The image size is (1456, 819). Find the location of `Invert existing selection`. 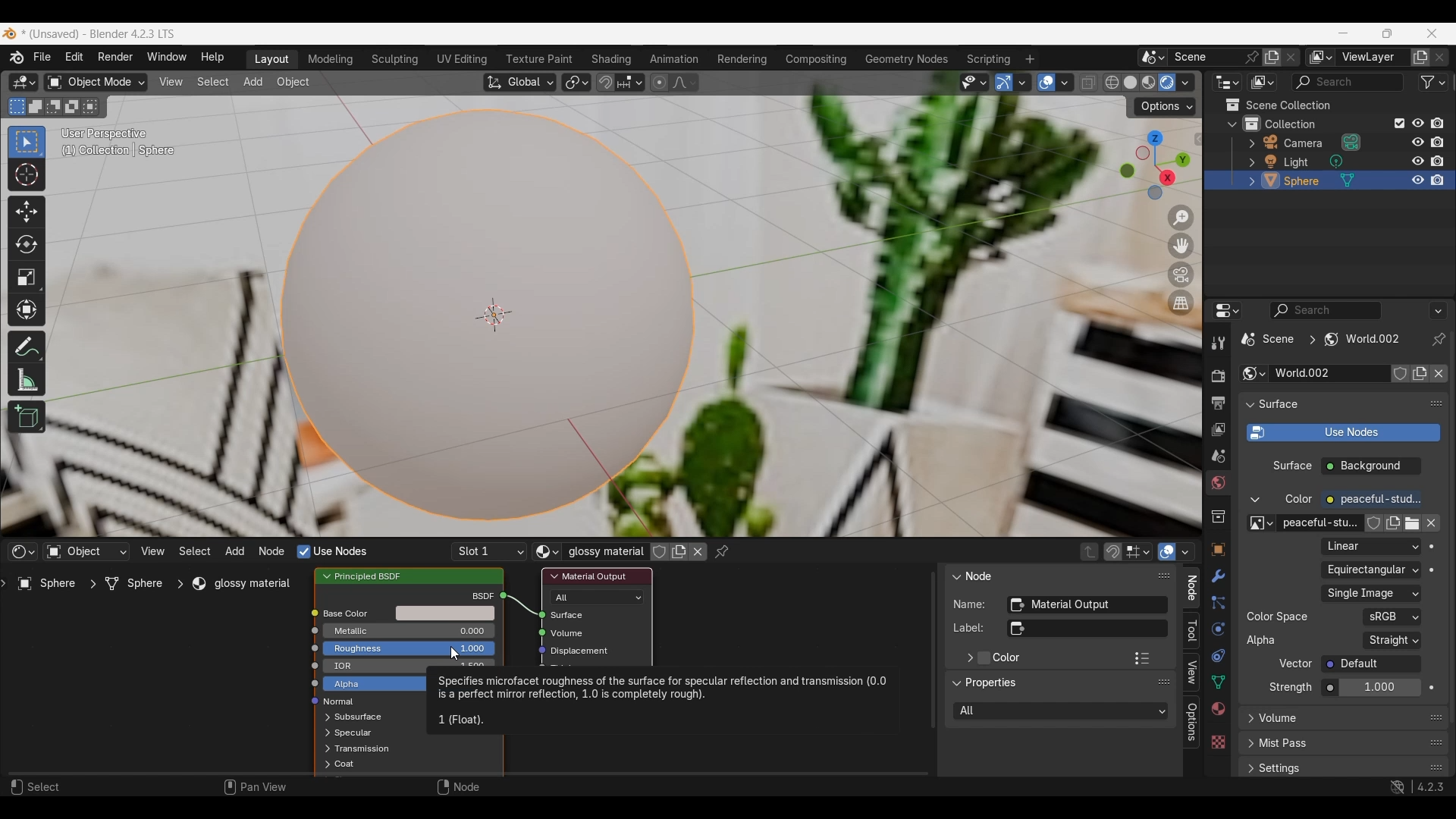

Invert existing selection is located at coordinates (71, 107).